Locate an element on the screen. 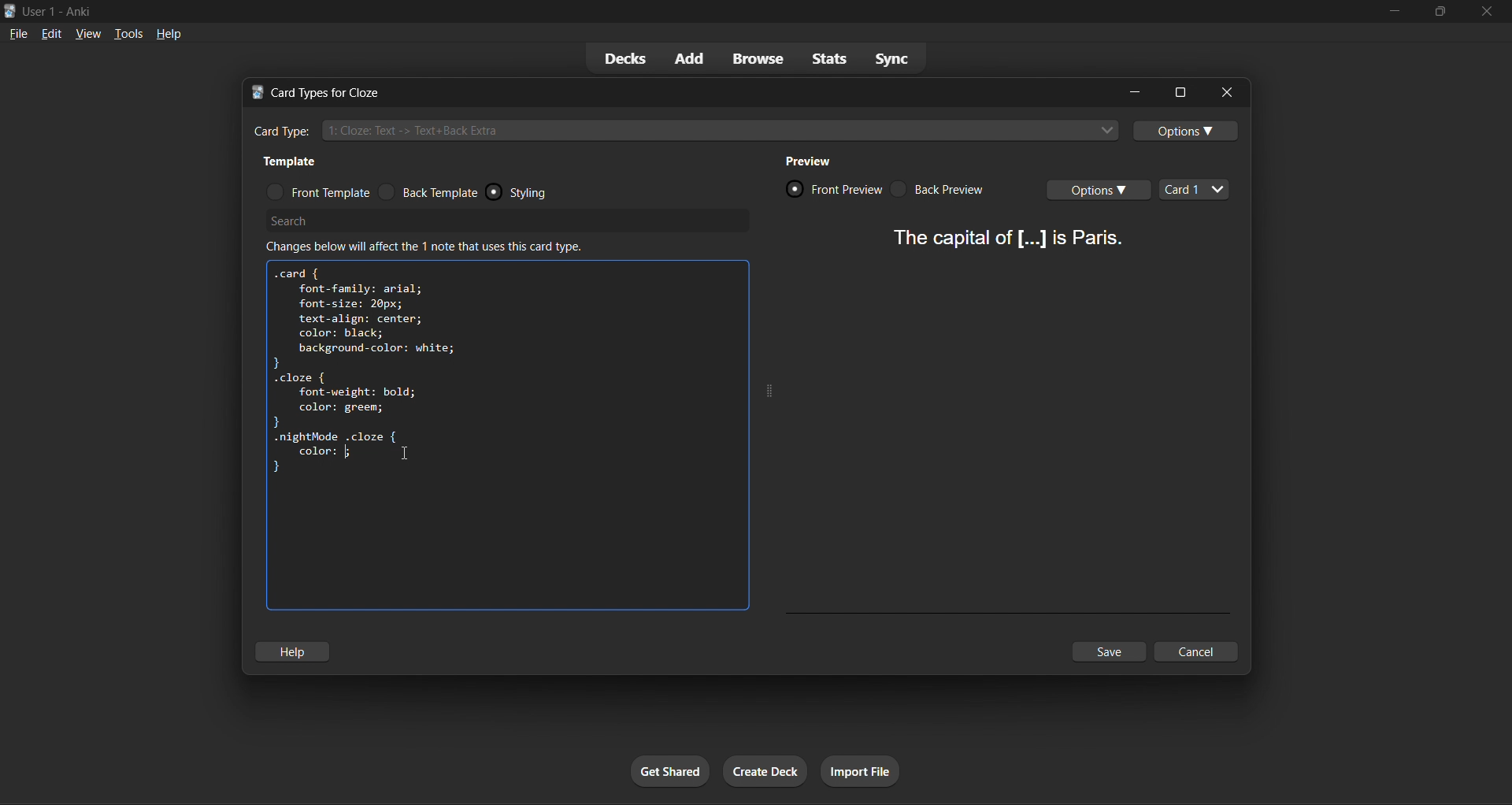  back template radio button is located at coordinates (431, 191).